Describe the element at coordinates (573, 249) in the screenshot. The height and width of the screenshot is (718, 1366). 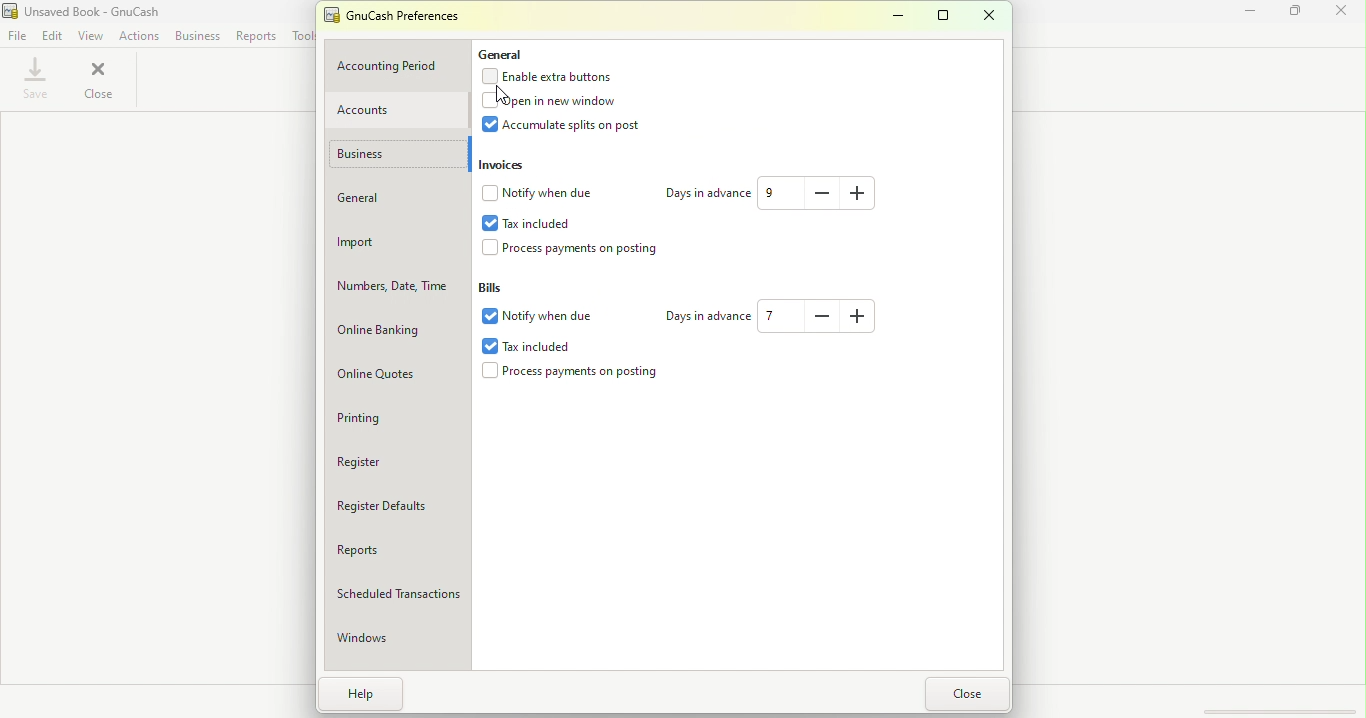
I see `Process payments on postings` at that location.